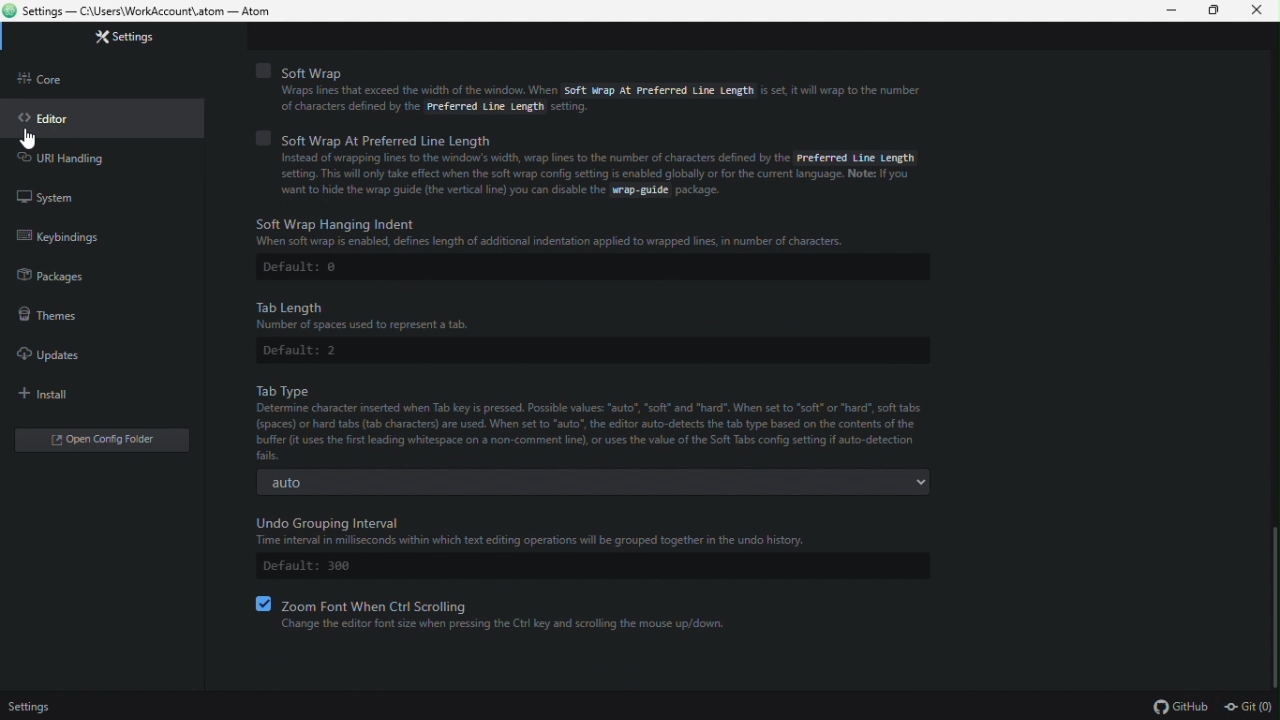  I want to click on open config folder, so click(107, 442).